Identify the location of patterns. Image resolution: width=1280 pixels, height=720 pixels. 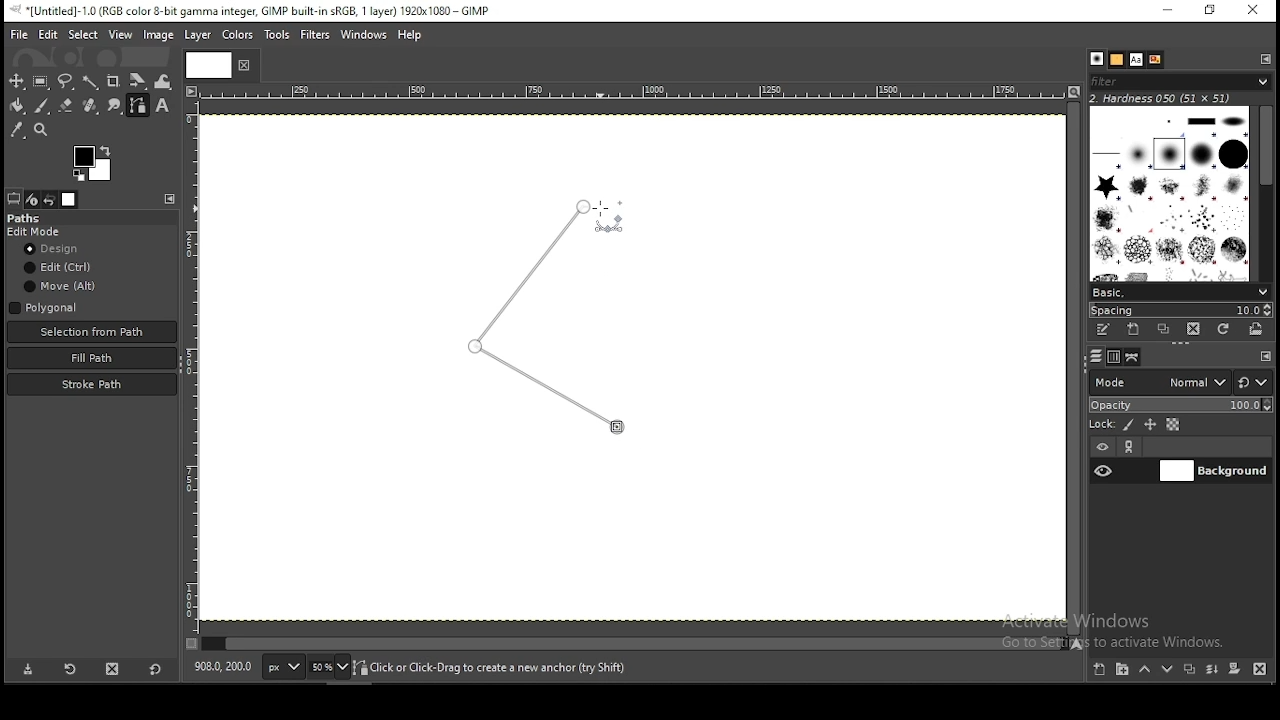
(1117, 60).